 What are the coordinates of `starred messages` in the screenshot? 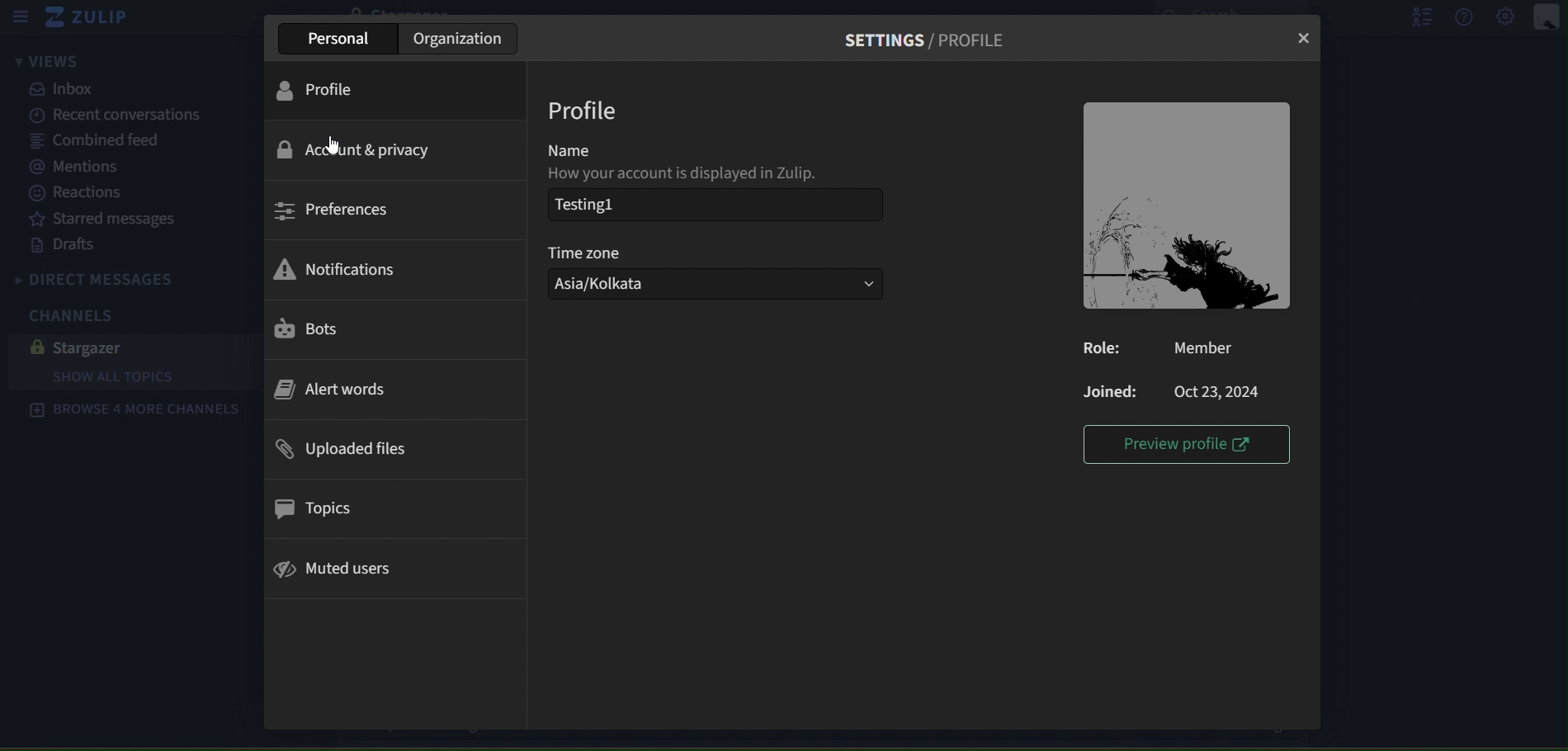 It's located at (102, 217).